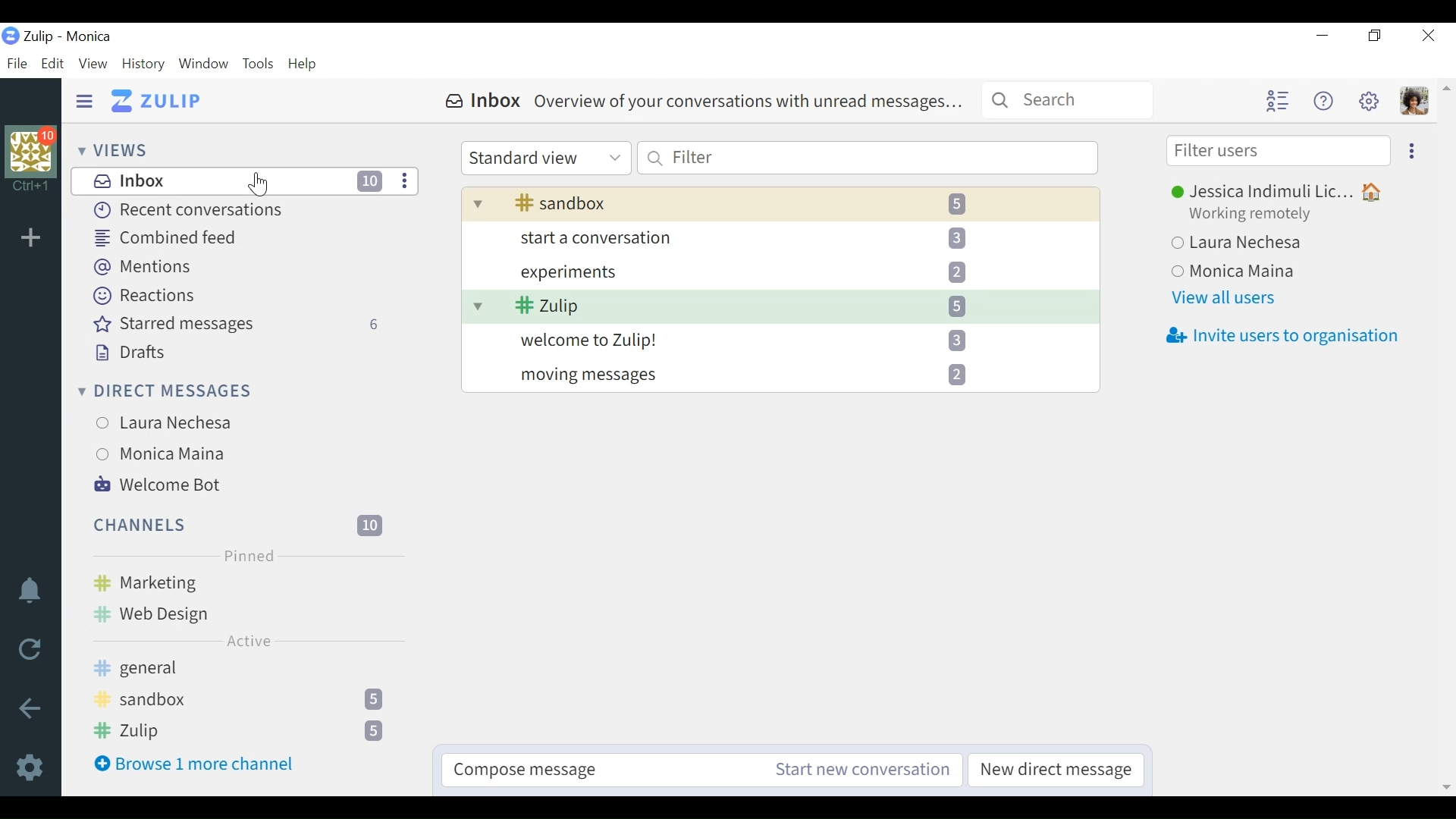  Describe the element at coordinates (1072, 101) in the screenshot. I see `Search` at that location.